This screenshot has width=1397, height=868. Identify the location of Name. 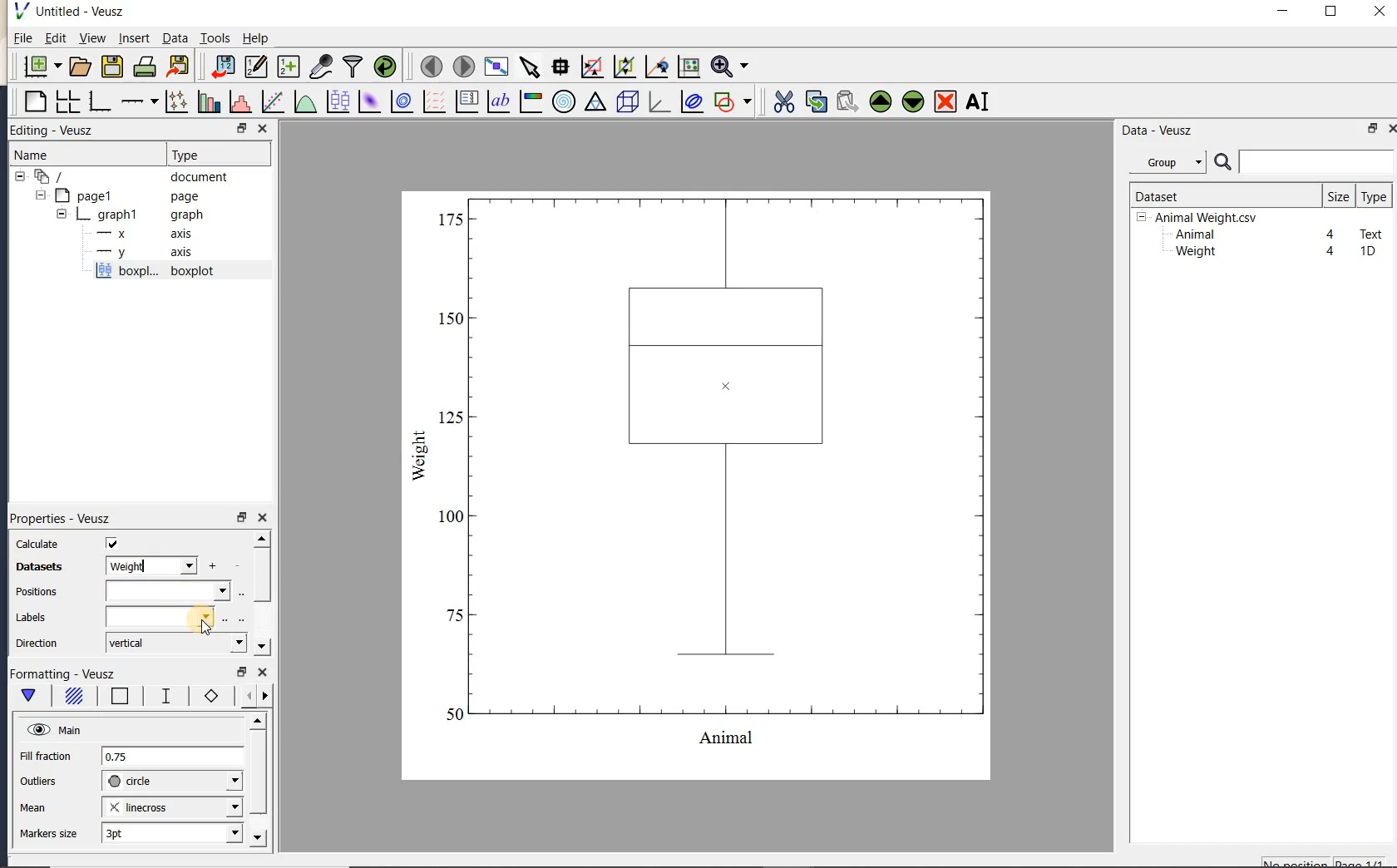
(49, 155).